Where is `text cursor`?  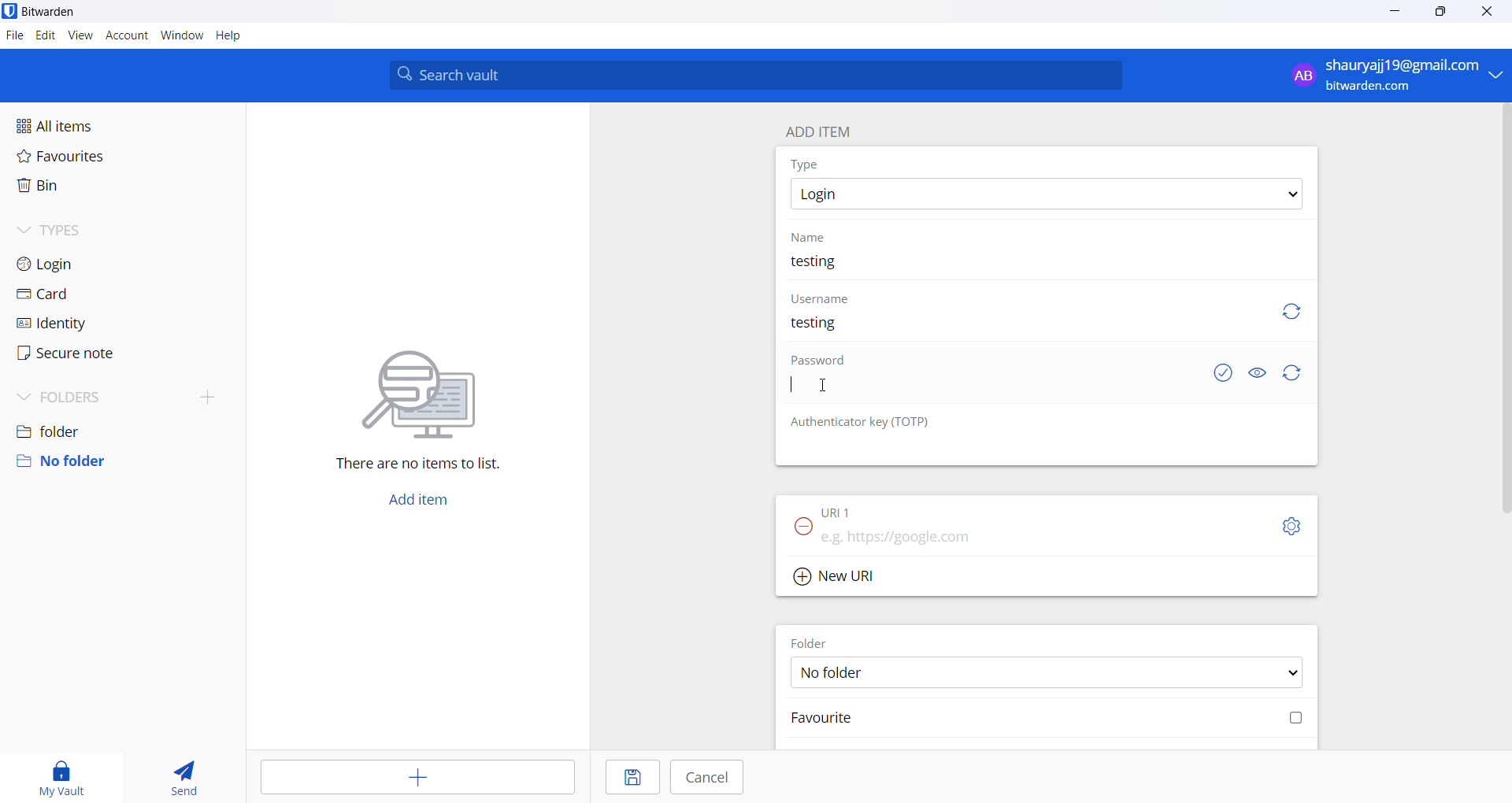
text cursor is located at coordinates (788, 391).